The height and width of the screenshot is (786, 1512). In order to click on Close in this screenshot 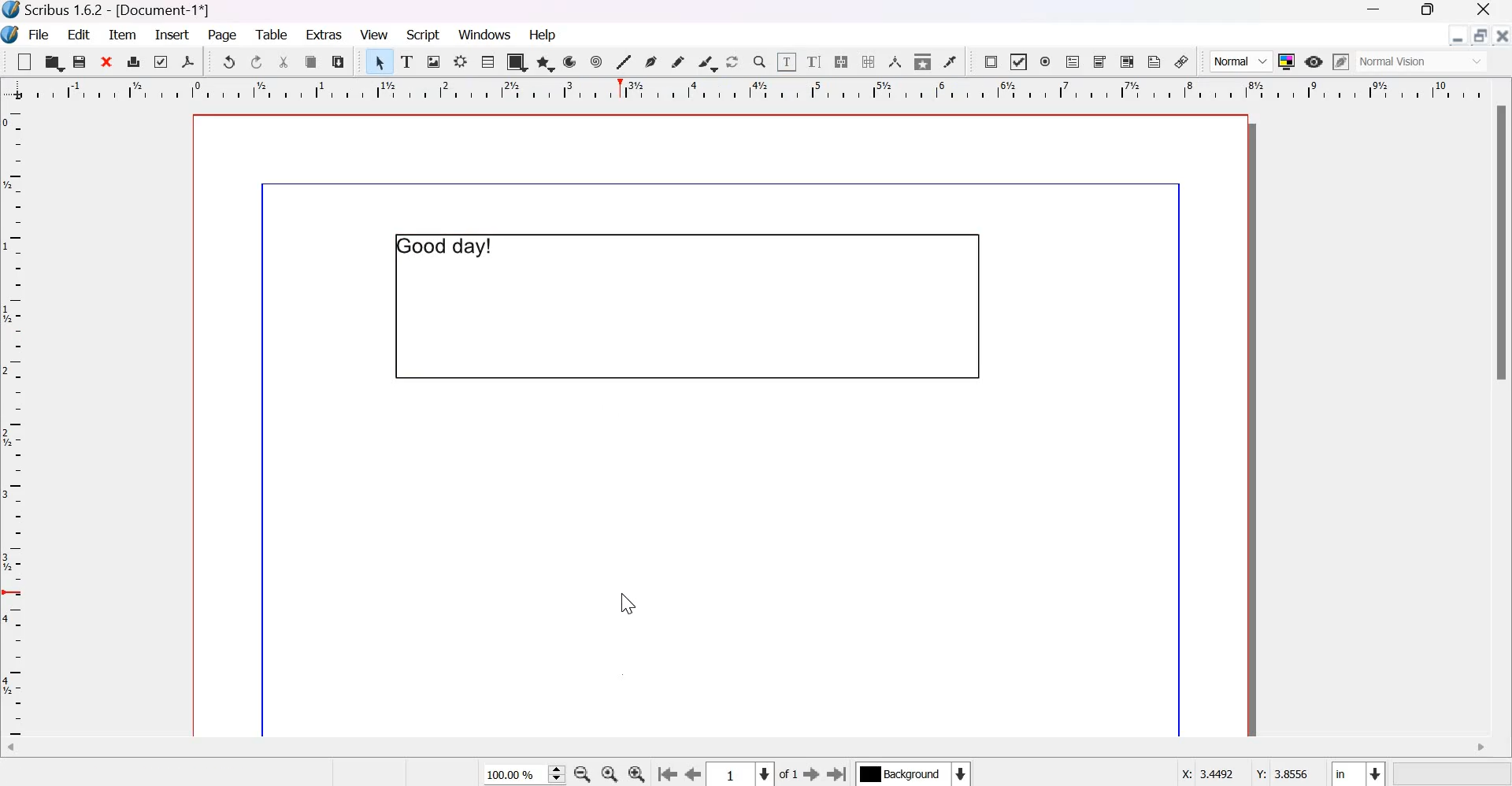, I will do `click(1484, 11)`.